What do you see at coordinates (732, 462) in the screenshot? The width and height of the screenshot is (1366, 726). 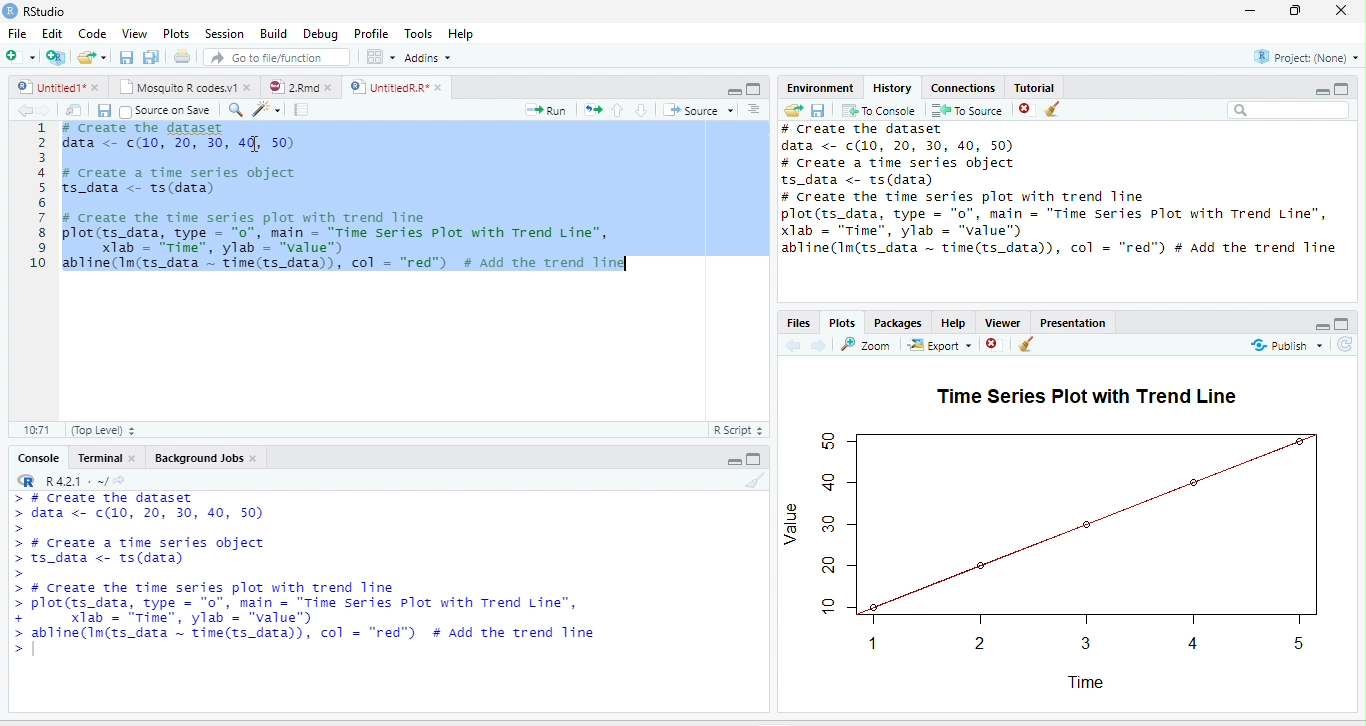 I see `Minimize` at bounding box center [732, 462].